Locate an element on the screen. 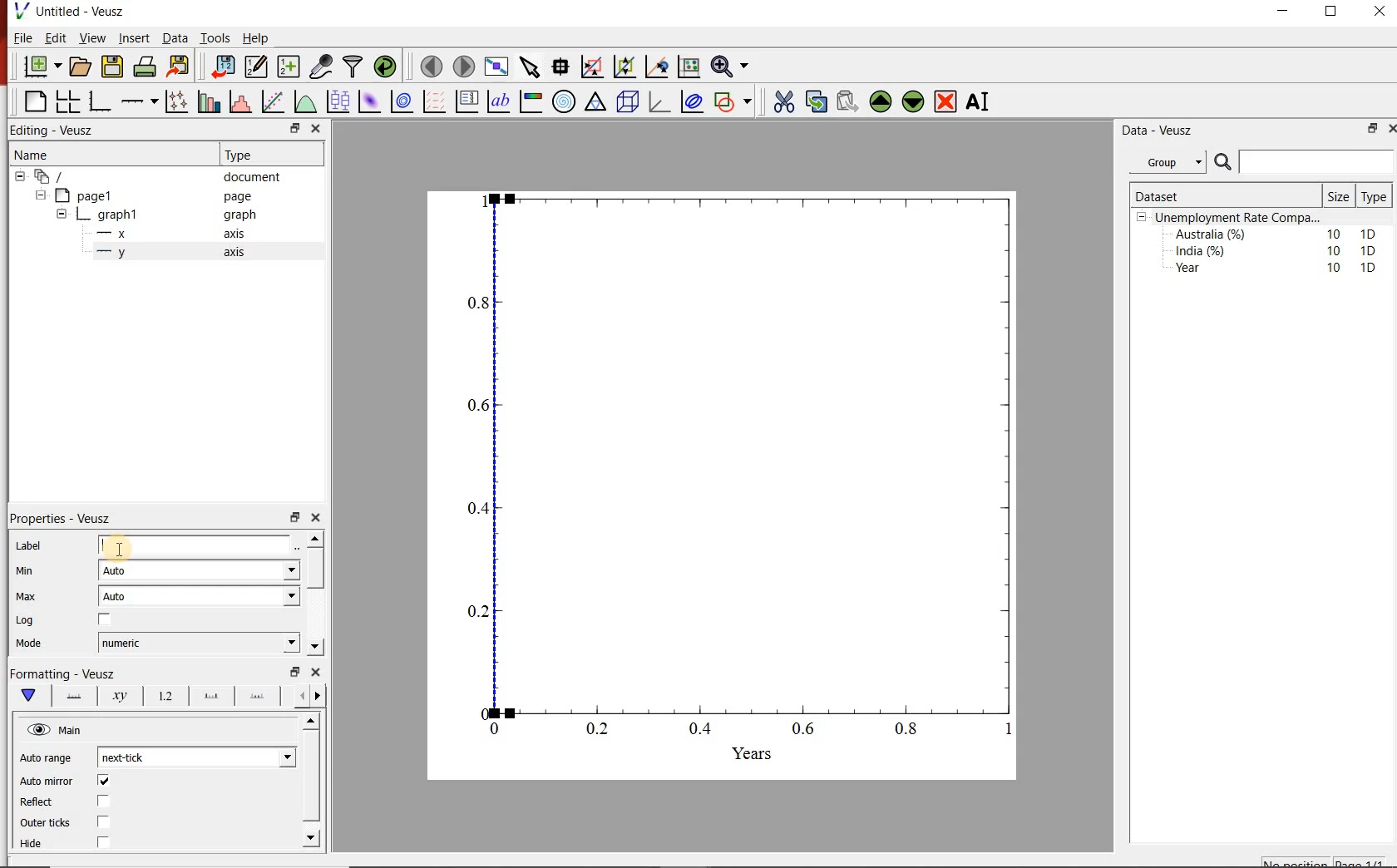 Image resolution: width=1397 pixels, height=868 pixels. Auto mirror is located at coordinates (48, 782).